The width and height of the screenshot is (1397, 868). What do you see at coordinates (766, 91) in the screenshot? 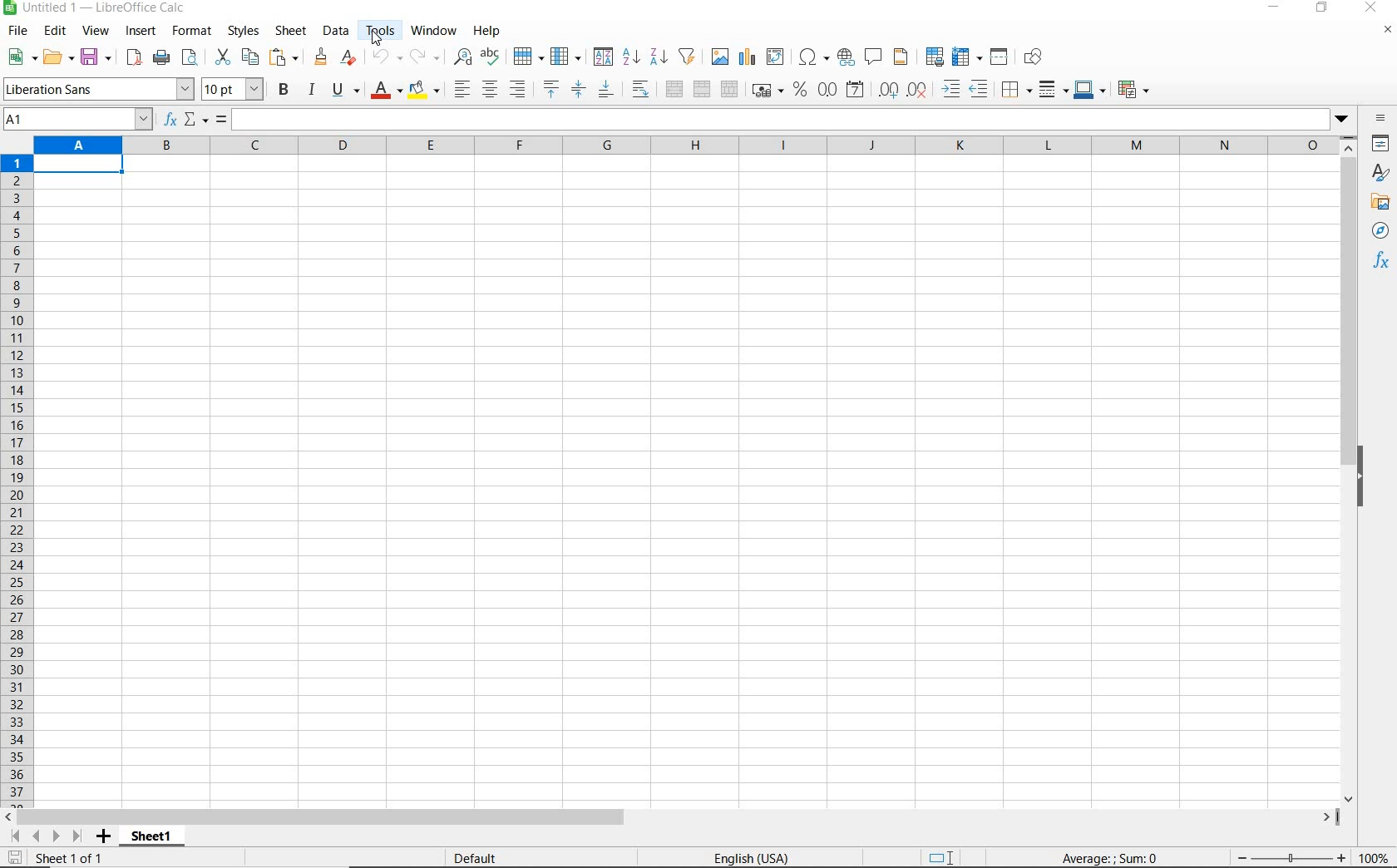
I see `format as currency` at bounding box center [766, 91].